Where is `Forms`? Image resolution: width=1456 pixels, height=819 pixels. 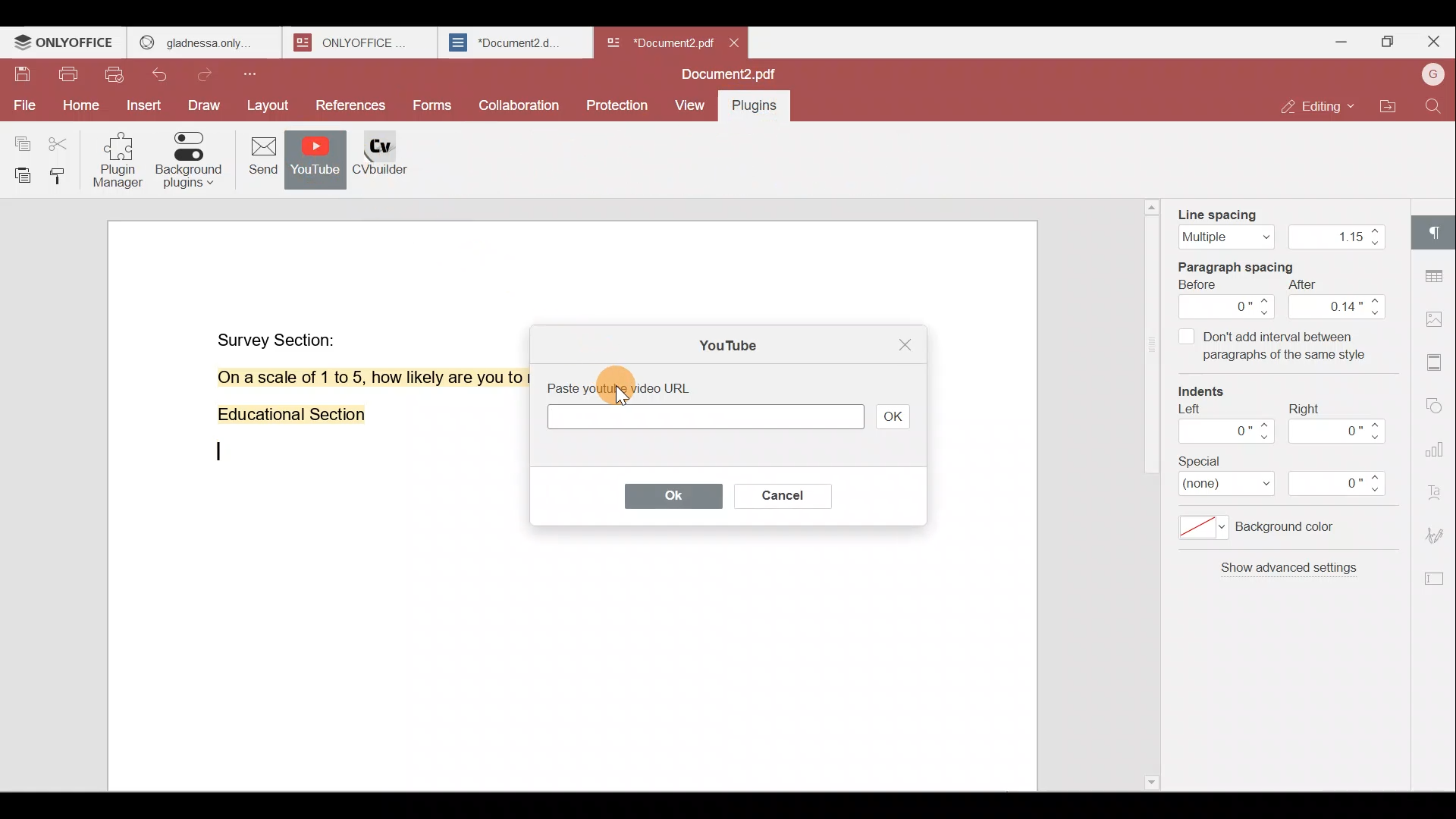
Forms is located at coordinates (434, 106).